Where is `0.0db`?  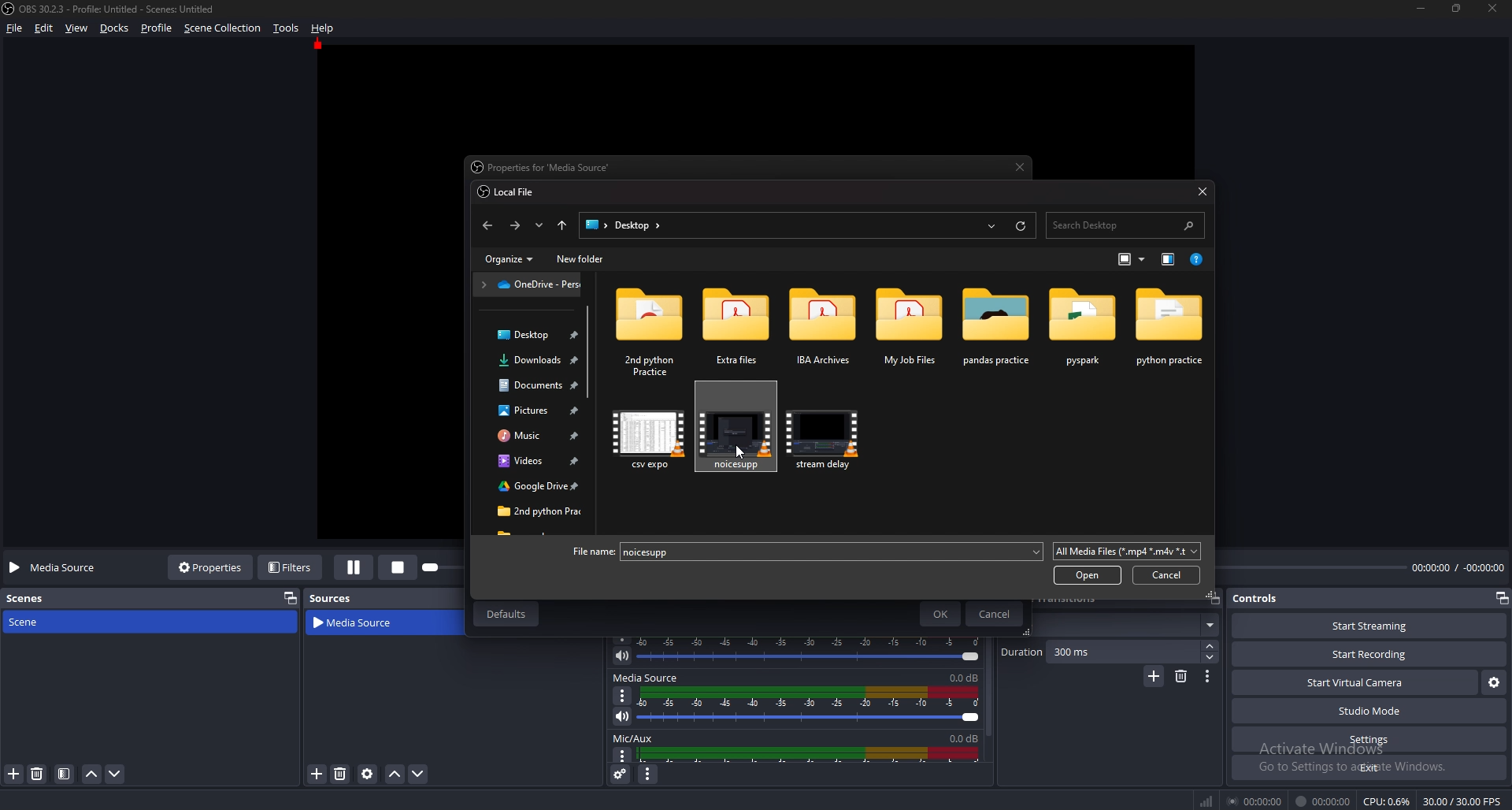 0.0db is located at coordinates (966, 676).